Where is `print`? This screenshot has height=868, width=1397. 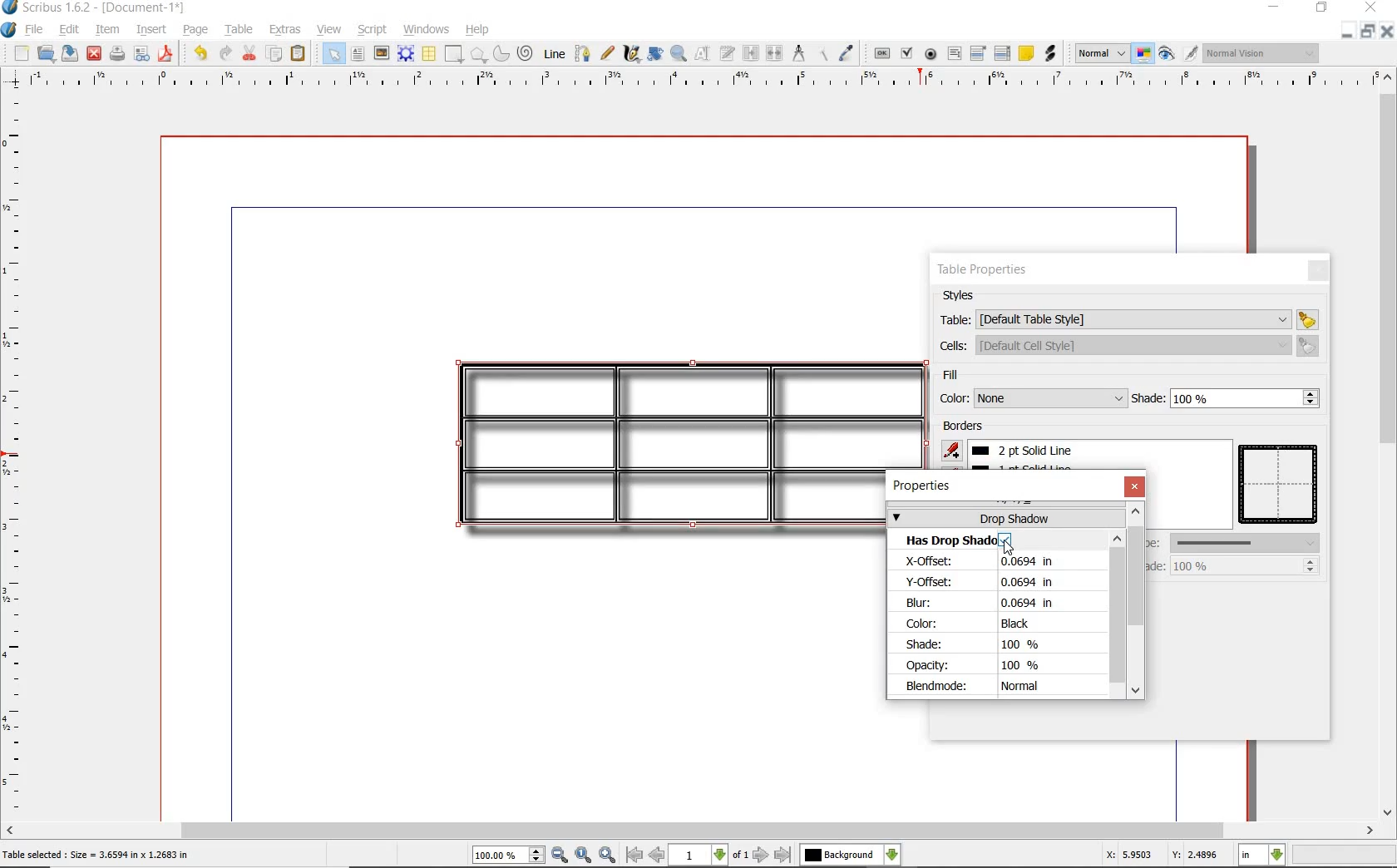
print is located at coordinates (118, 55).